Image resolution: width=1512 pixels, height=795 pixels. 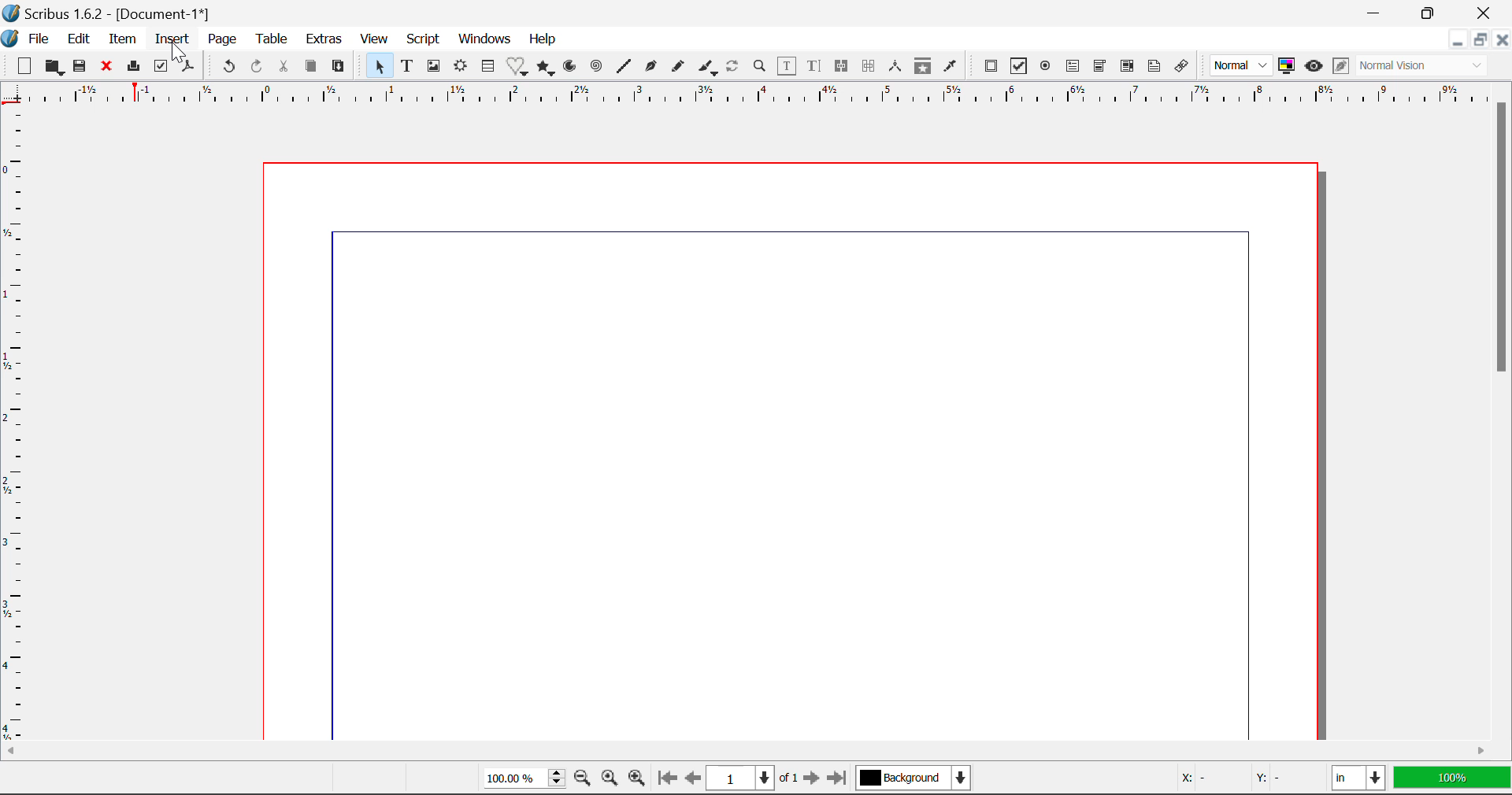 What do you see at coordinates (652, 68) in the screenshot?
I see `Bezier Curve` at bounding box center [652, 68].